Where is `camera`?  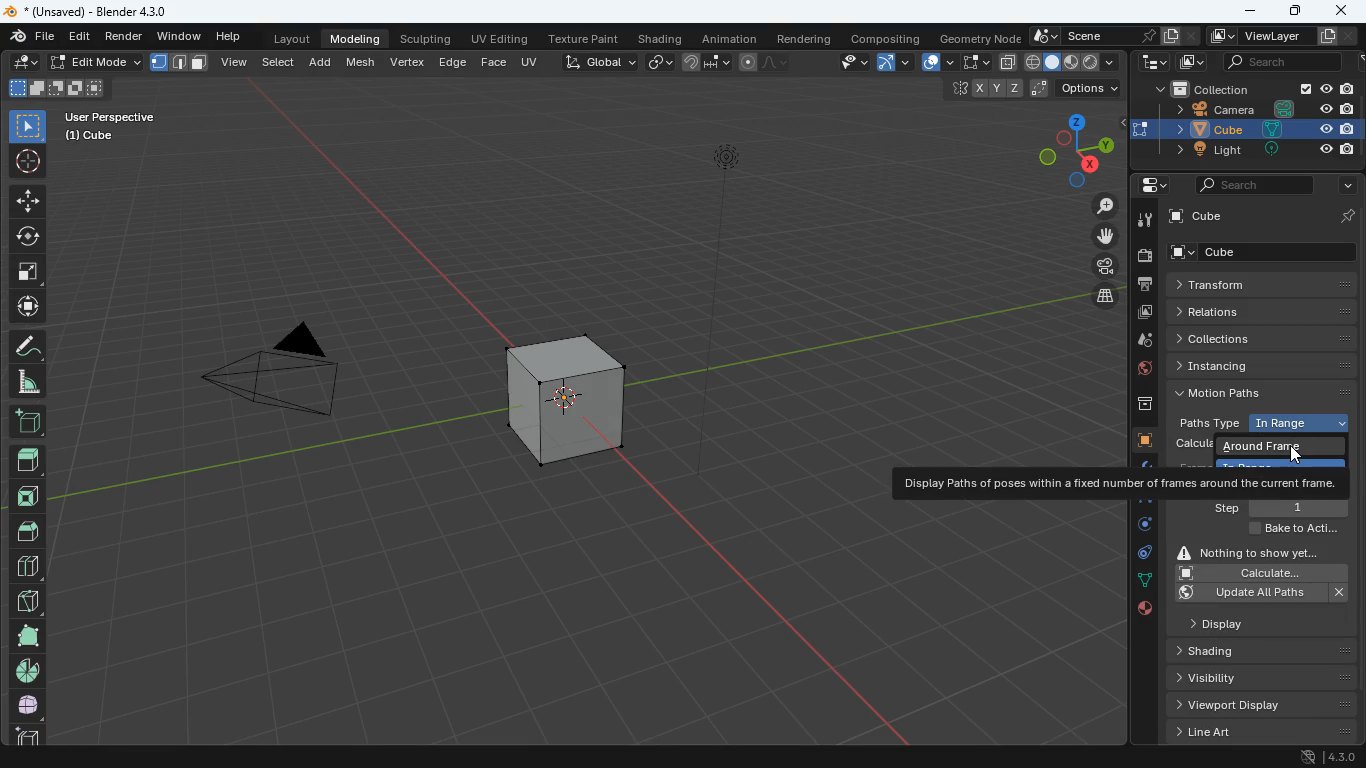
camera is located at coordinates (263, 380).